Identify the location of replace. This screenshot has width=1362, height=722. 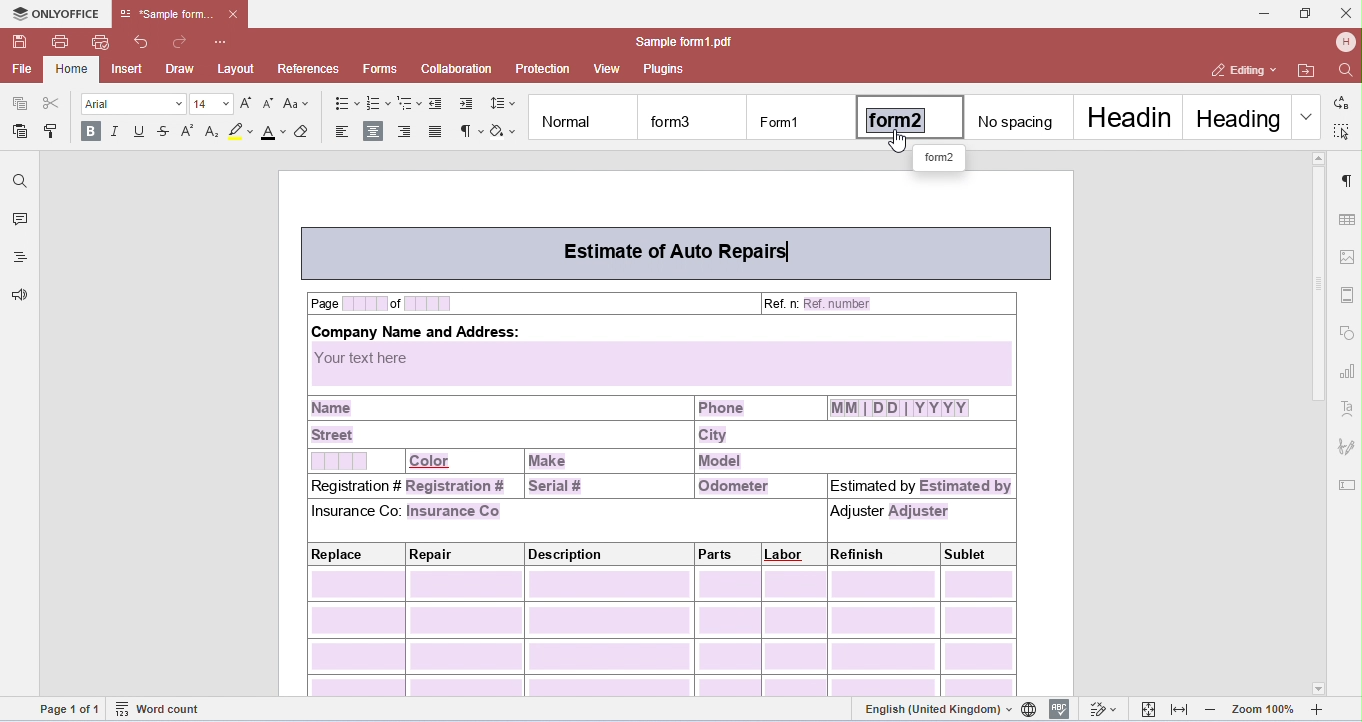
(1340, 100).